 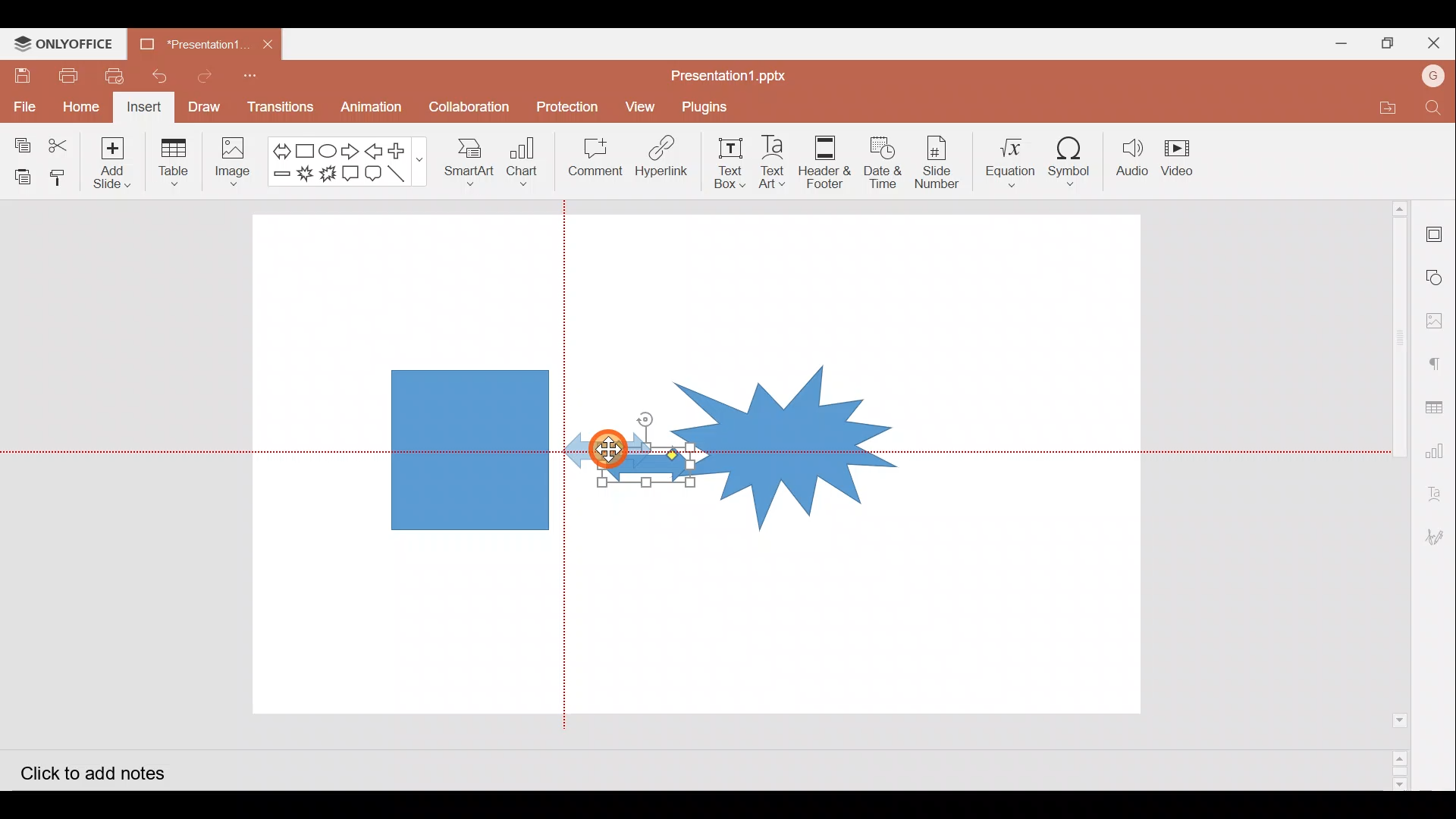 What do you see at coordinates (614, 446) in the screenshot?
I see `Cursor on left right arrow` at bounding box center [614, 446].